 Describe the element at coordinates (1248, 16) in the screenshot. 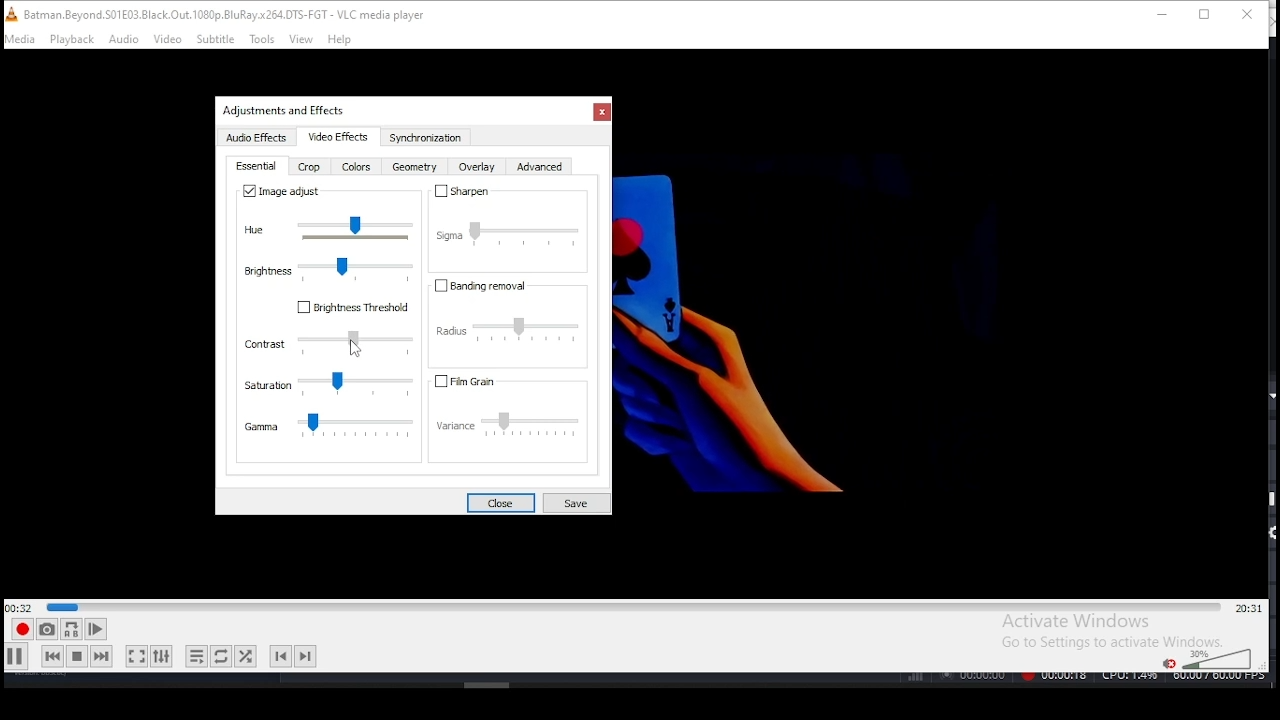

I see `close window` at that location.